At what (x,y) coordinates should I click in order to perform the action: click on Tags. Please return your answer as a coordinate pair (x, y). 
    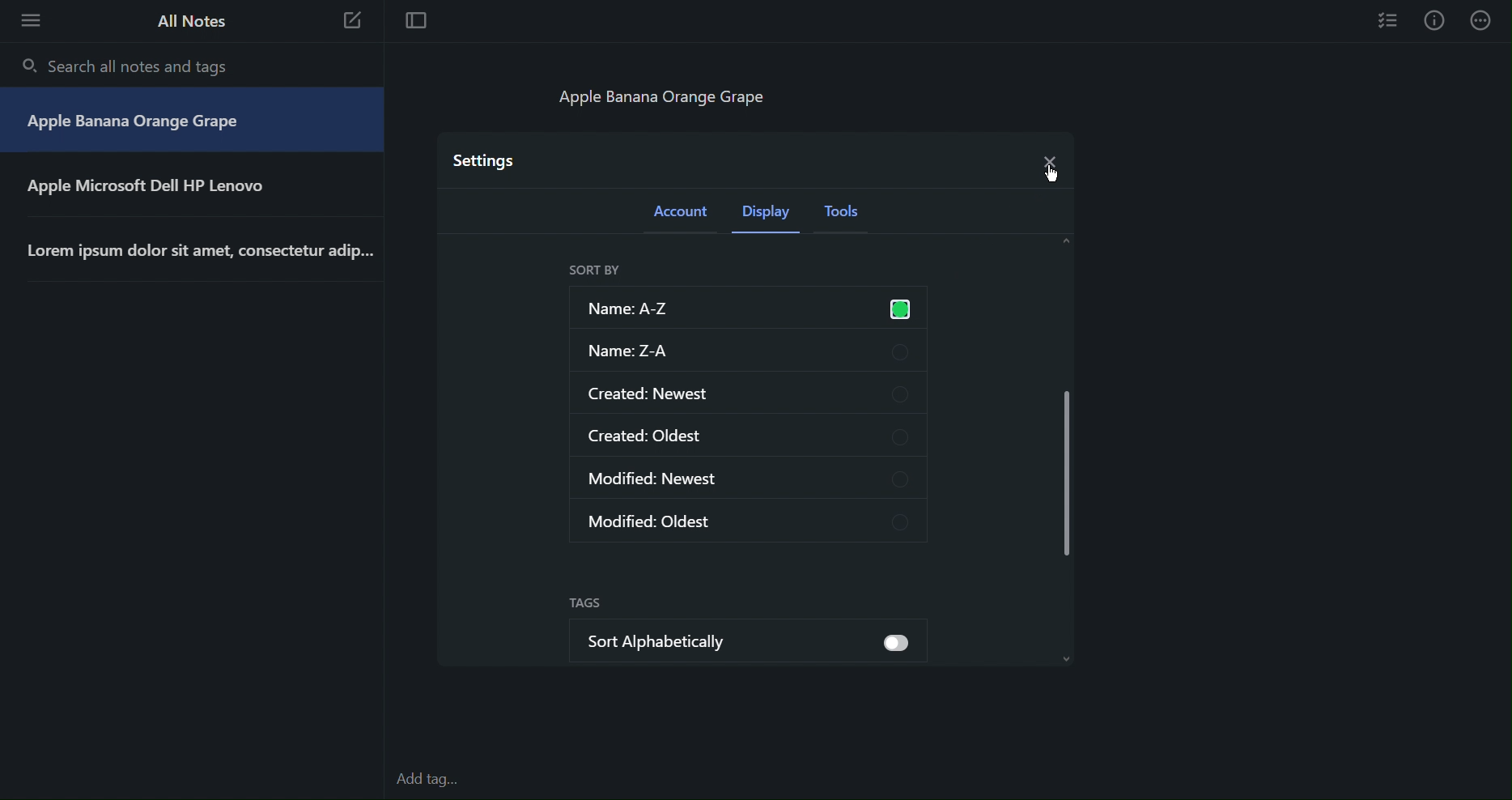
    Looking at the image, I should click on (585, 604).